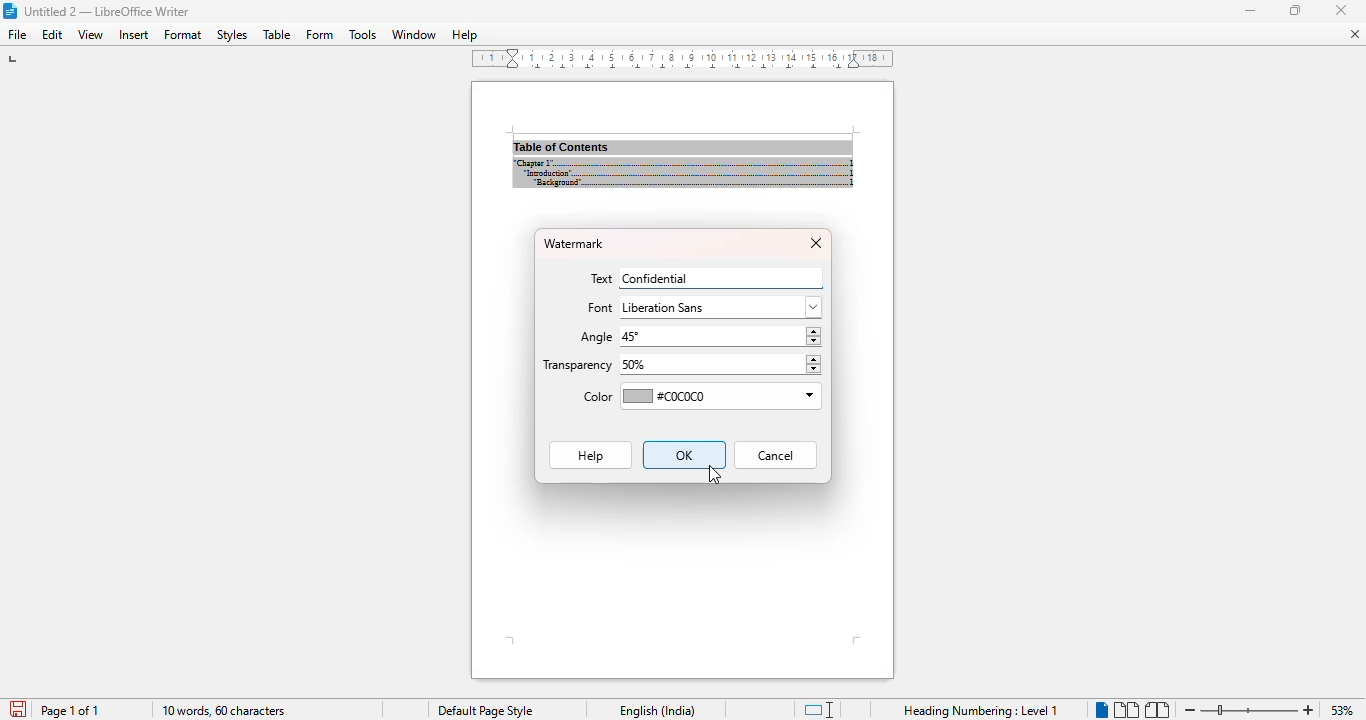 The image size is (1366, 720). I want to click on zoom factor, so click(1341, 710).